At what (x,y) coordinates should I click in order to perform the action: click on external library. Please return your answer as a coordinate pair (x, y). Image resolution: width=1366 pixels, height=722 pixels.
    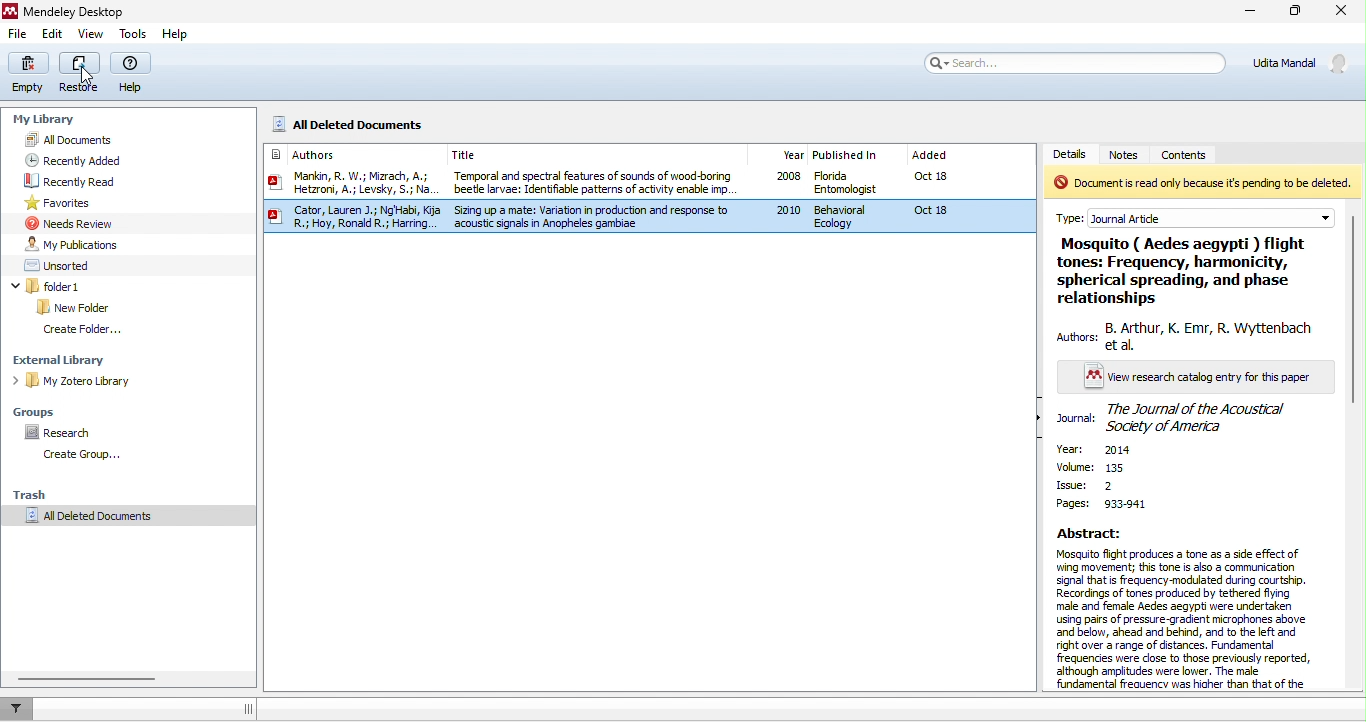
    Looking at the image, I should click on (66, 356).